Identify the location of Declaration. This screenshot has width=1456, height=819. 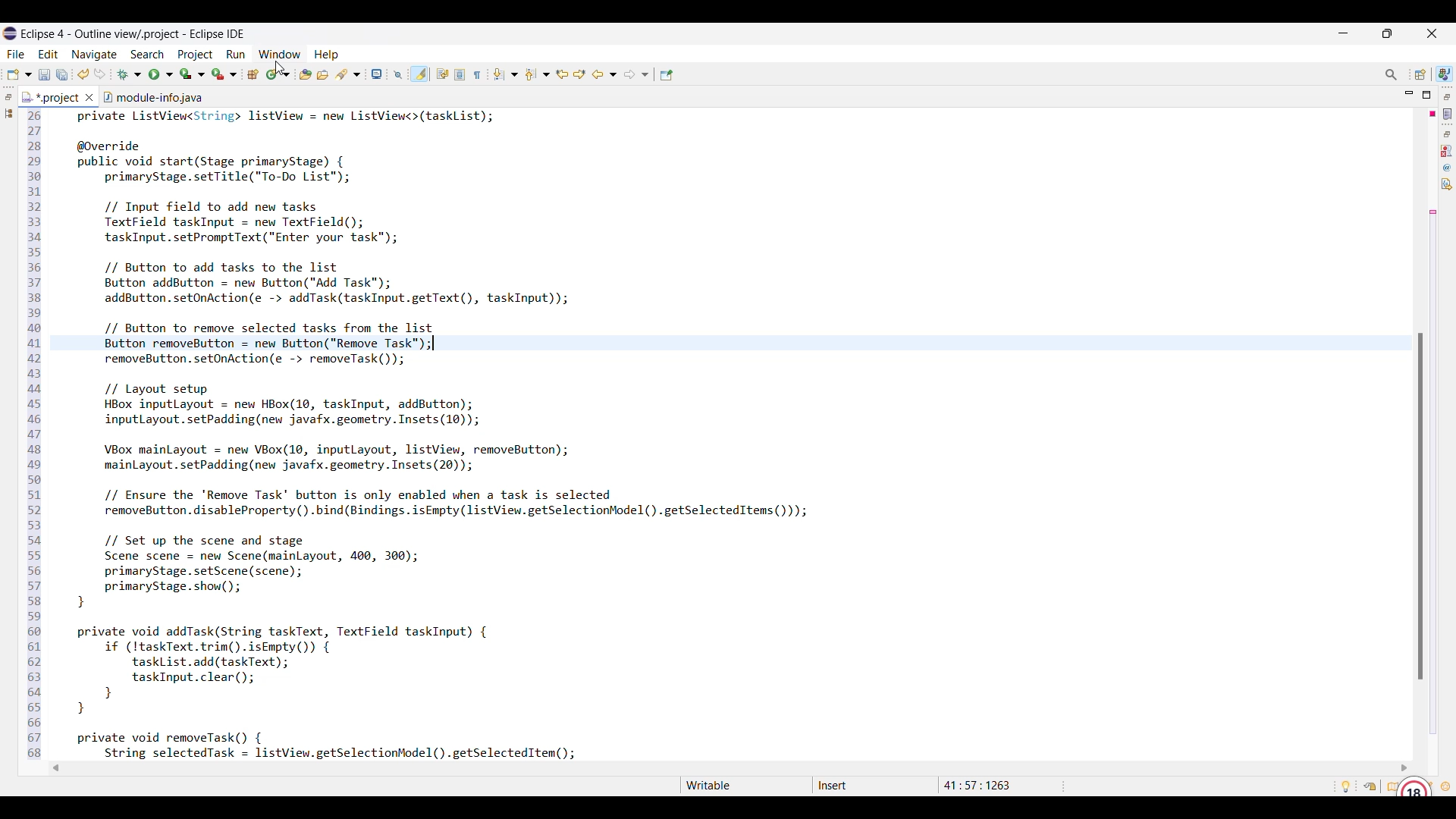
(1447, 184).